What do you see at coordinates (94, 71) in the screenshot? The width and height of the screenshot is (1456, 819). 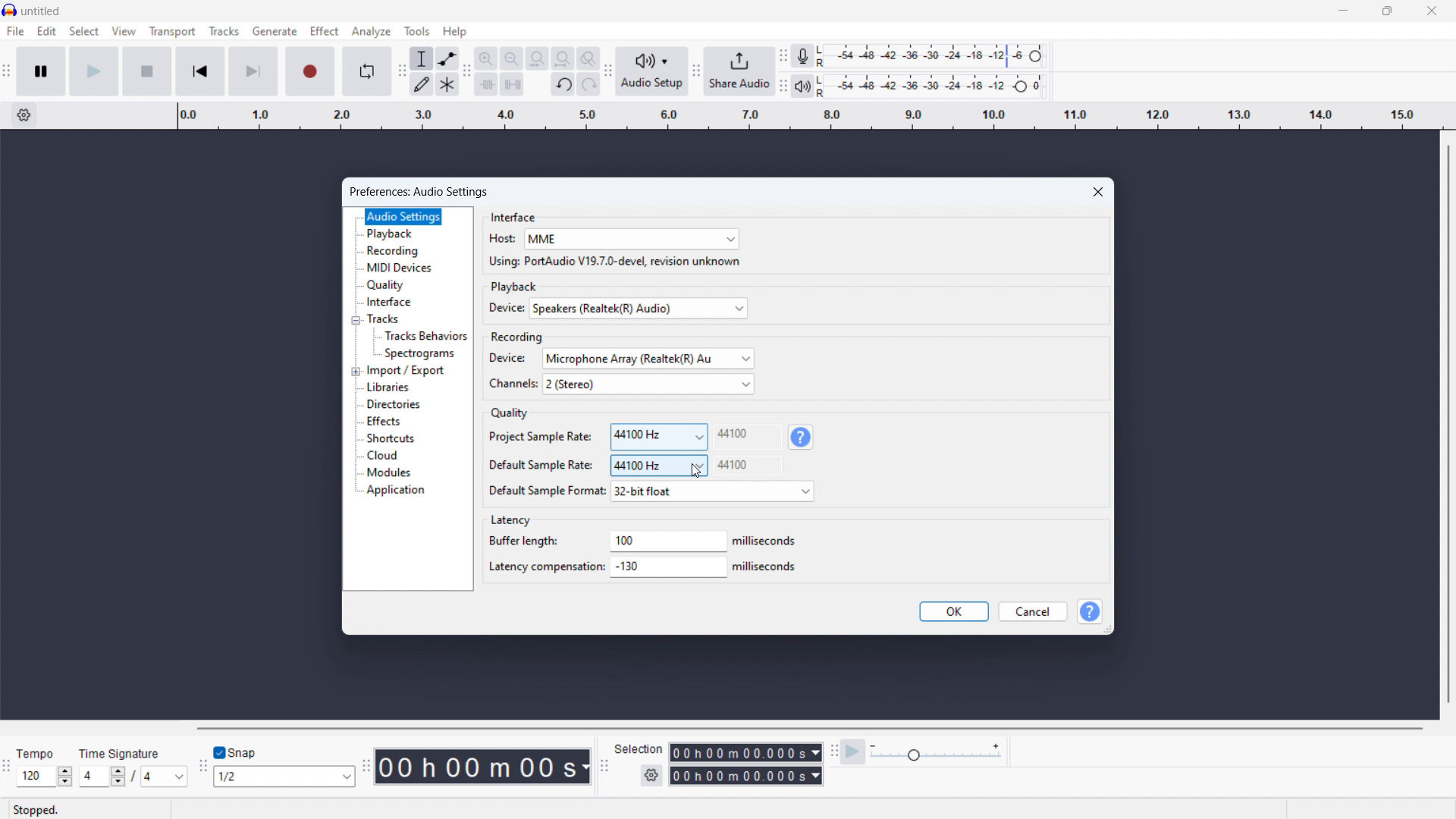 I see `play` at bounding box center [94, 71].